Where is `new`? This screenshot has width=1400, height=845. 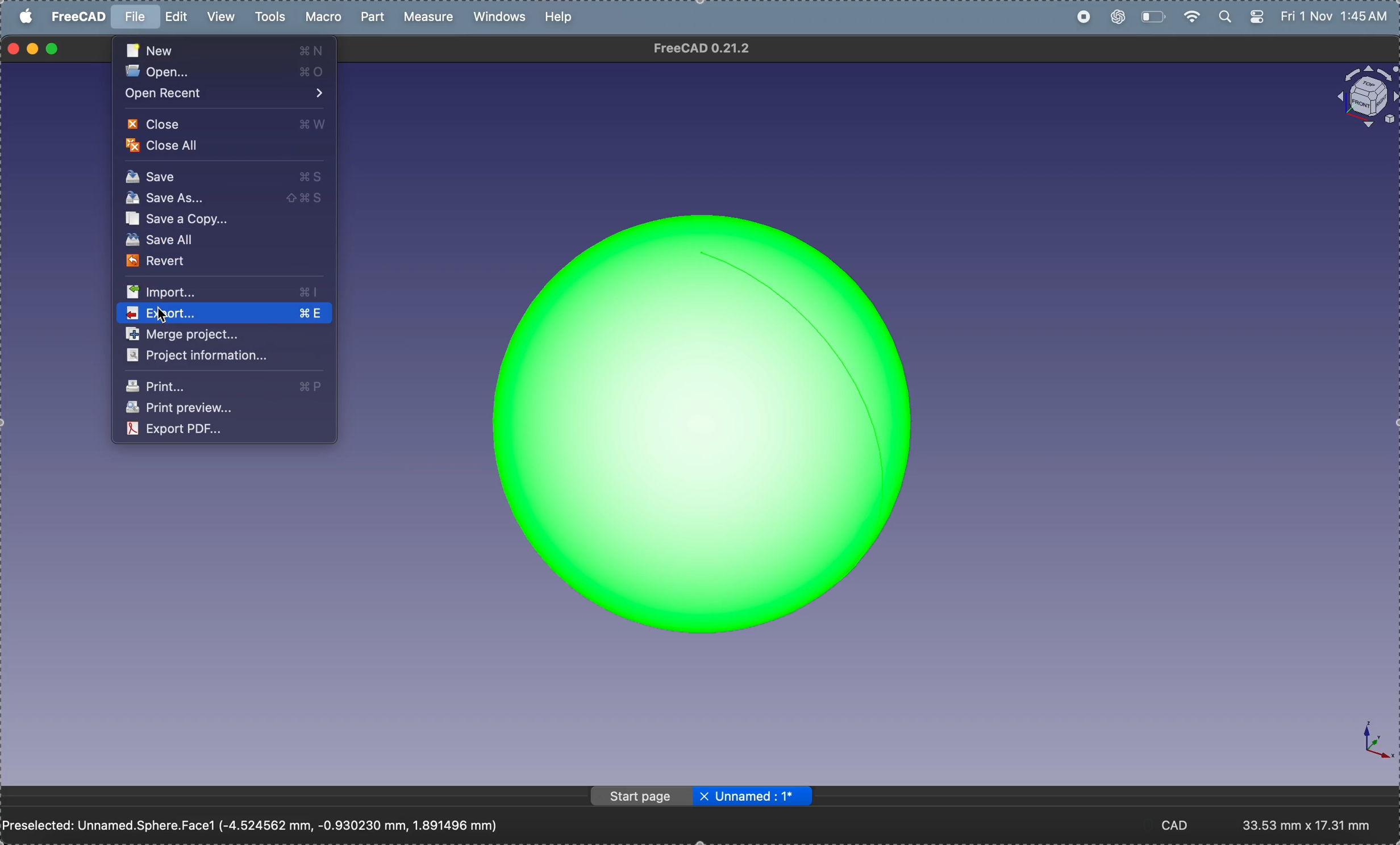 new is located at coordinates (226, 49).